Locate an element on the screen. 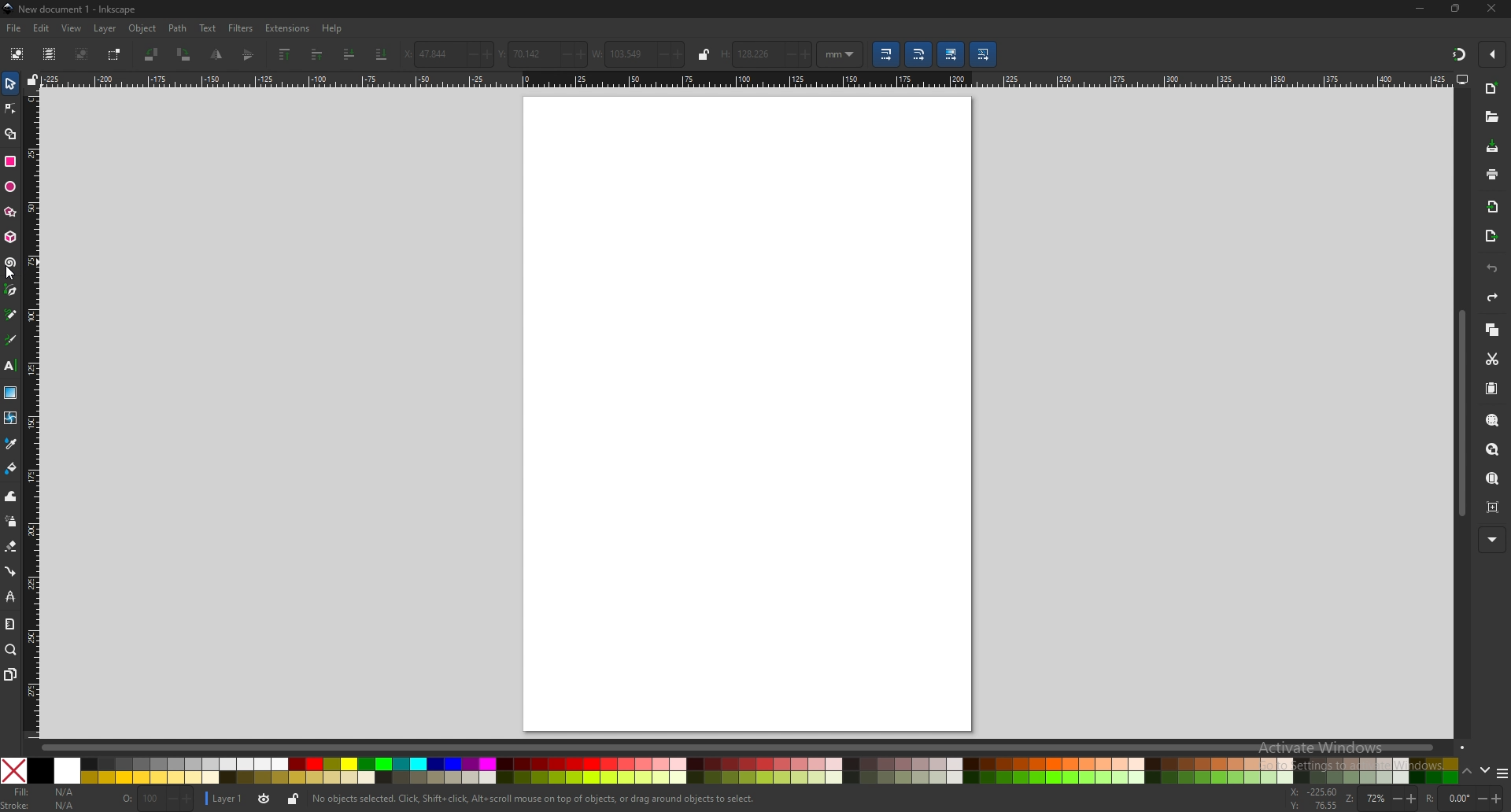 This screenshot has height=812, width=1511. zoom selection is located at coordinates (1491, 421).